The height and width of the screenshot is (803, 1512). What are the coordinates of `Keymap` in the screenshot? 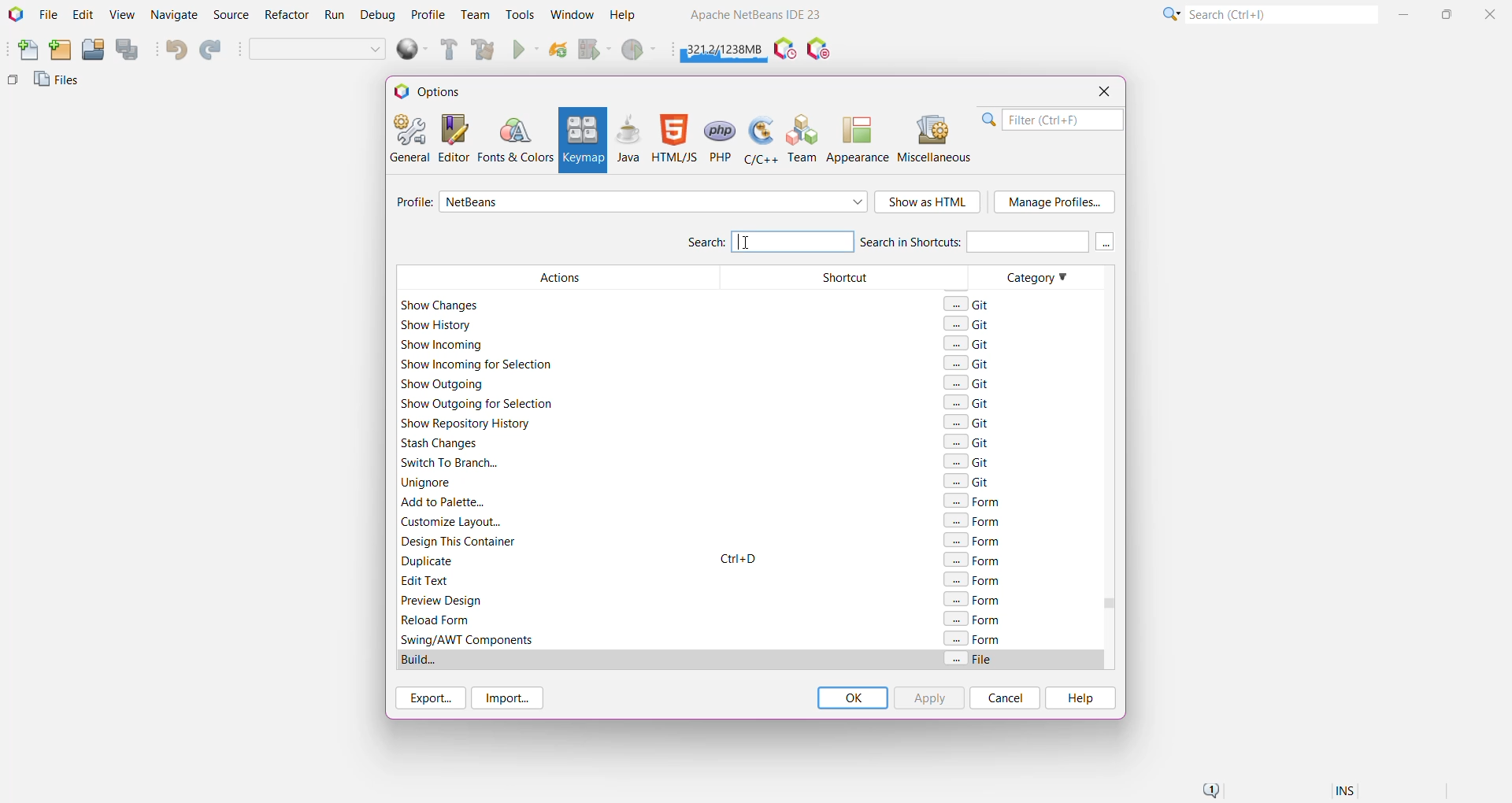 It's located at (581, 140).